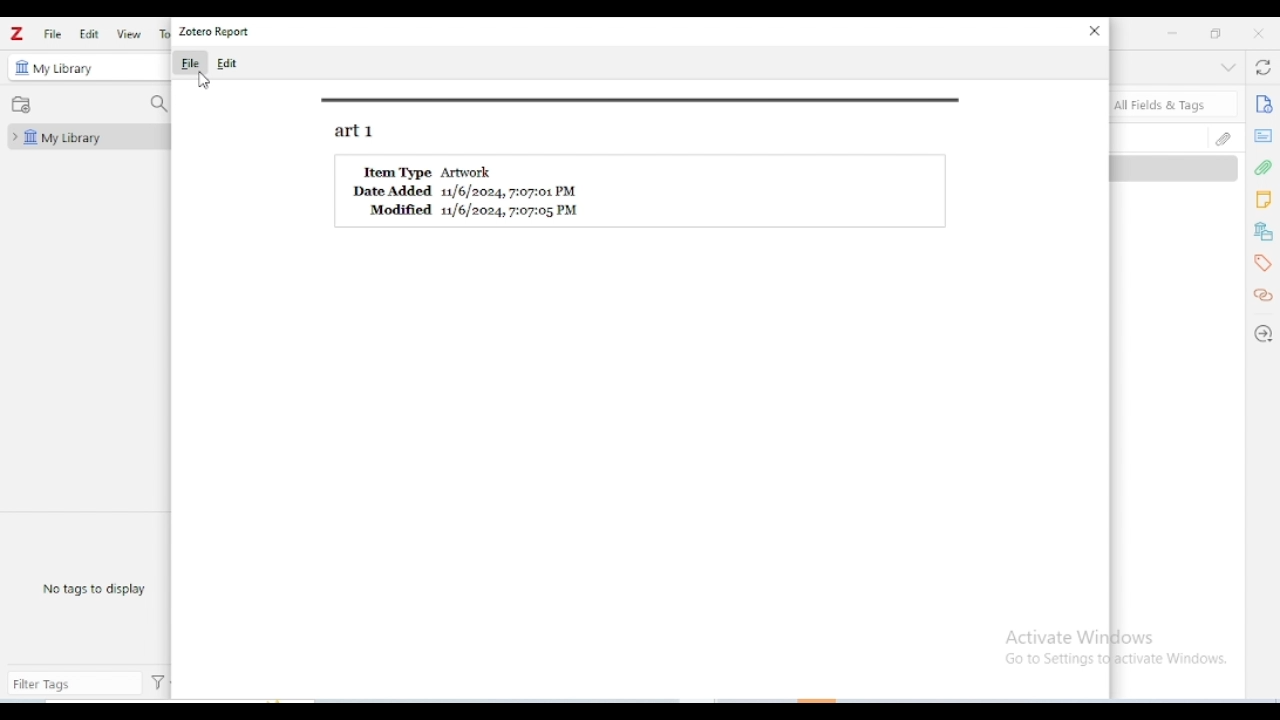  I want to click on zotero report, so click(214, 31).